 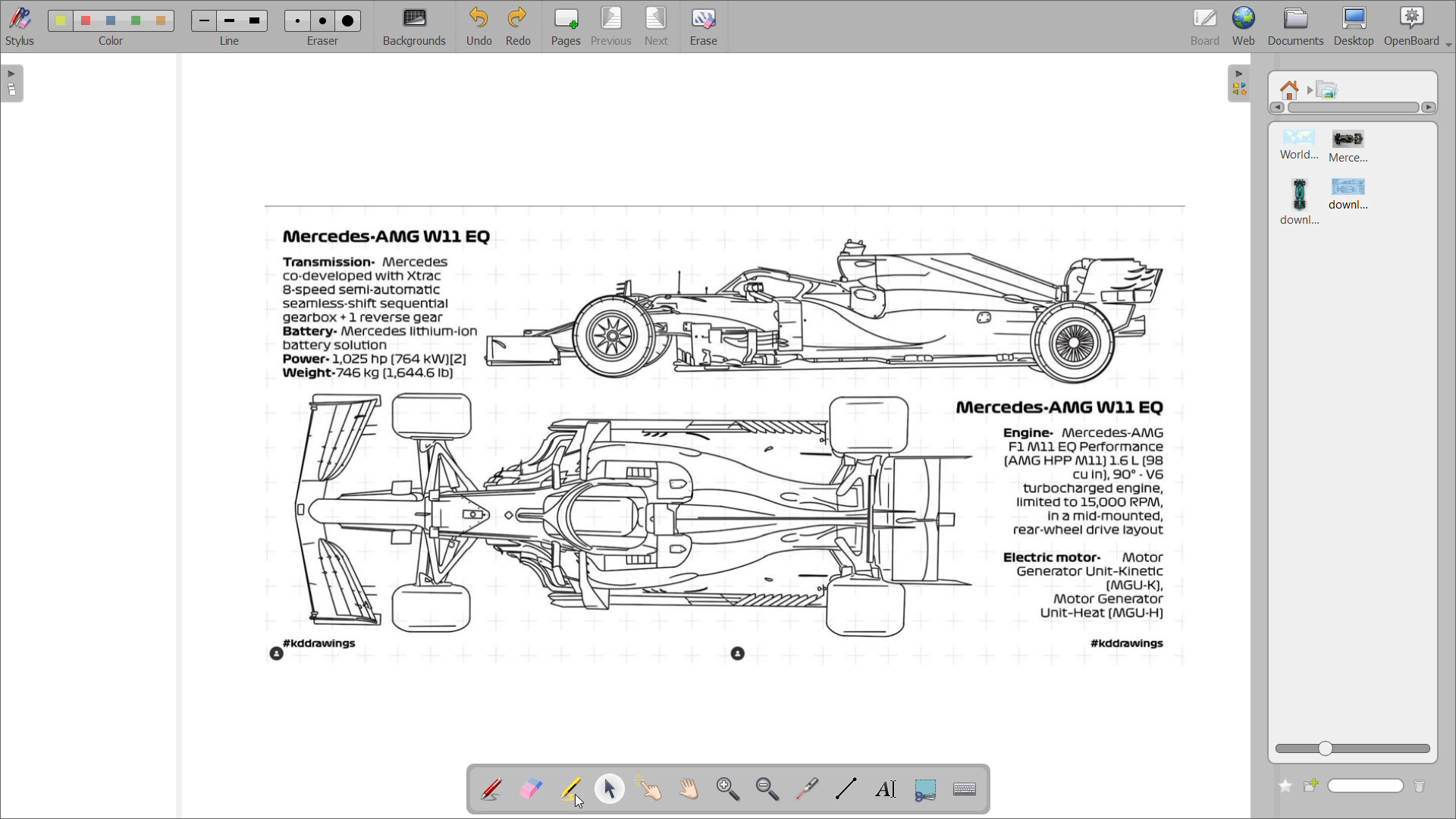 What do you see at coordinates (1351, 195) in the screenshot?
I see `image 4` at bounding box center [1351, 195].